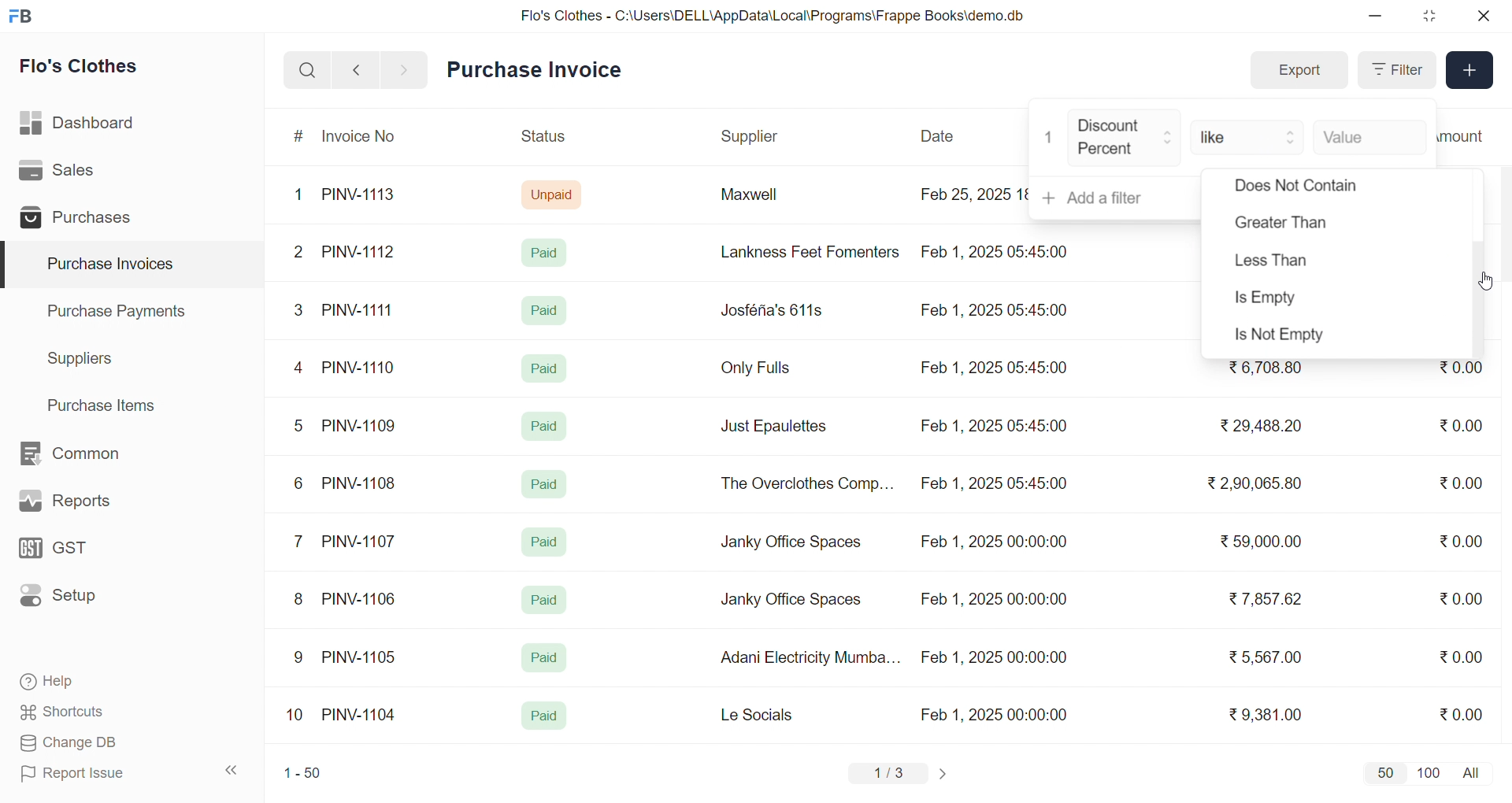  What do you see at coordinates (1395, 70) in the screenshot?
I see `Filter` at bounding box center [1395, 70].